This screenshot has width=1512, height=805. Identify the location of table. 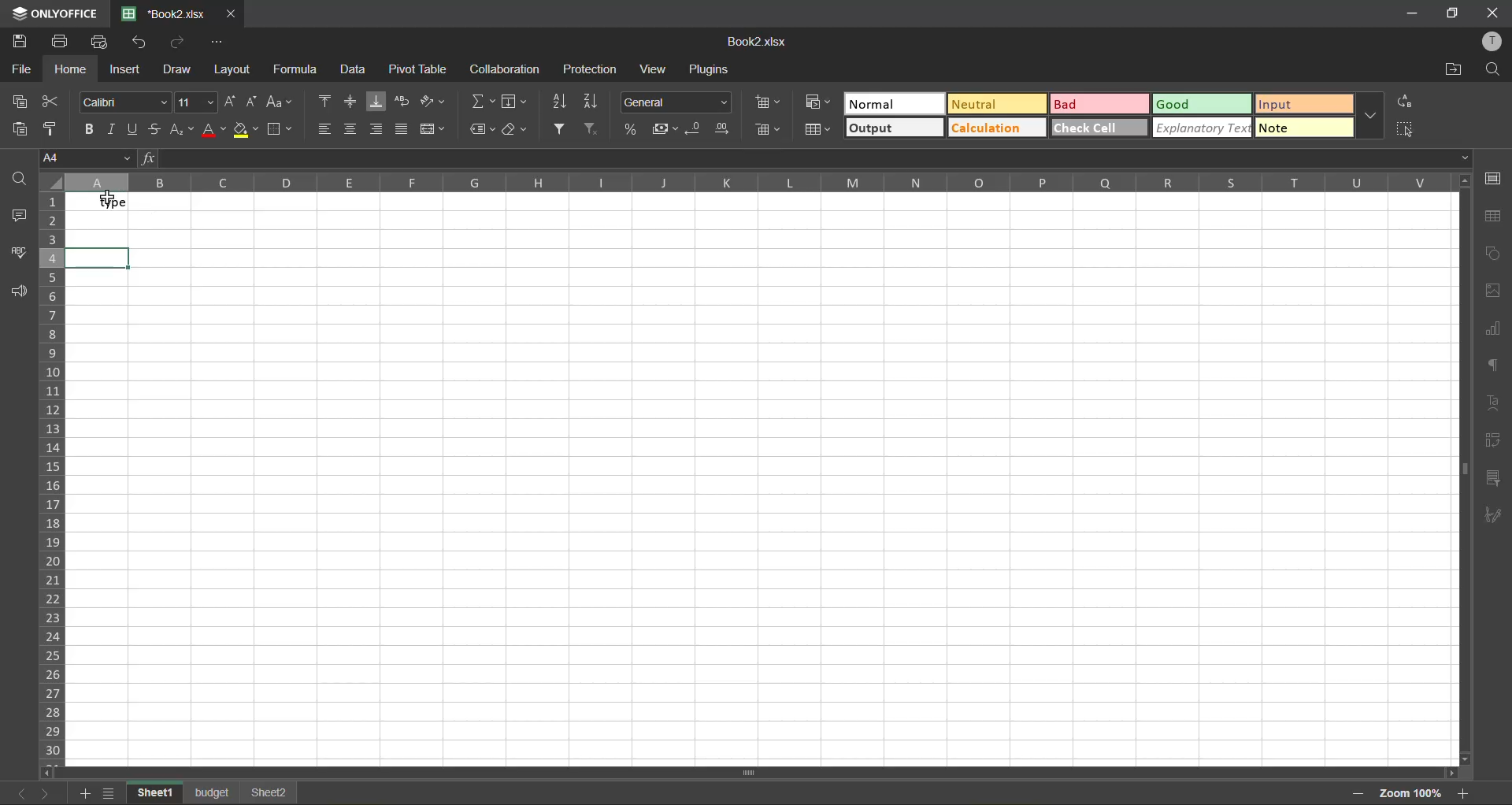
(1493, 218).